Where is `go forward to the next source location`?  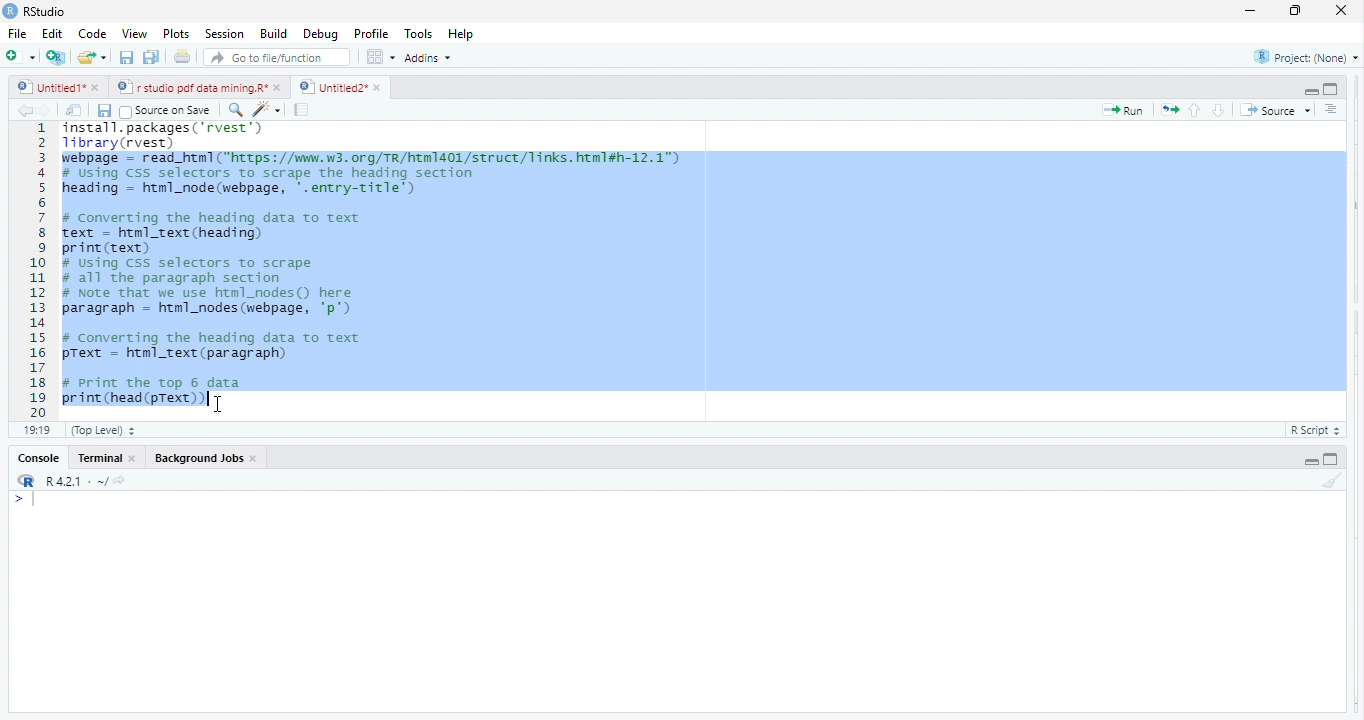 go forward to the next source location is located at coordinates (48, 112).